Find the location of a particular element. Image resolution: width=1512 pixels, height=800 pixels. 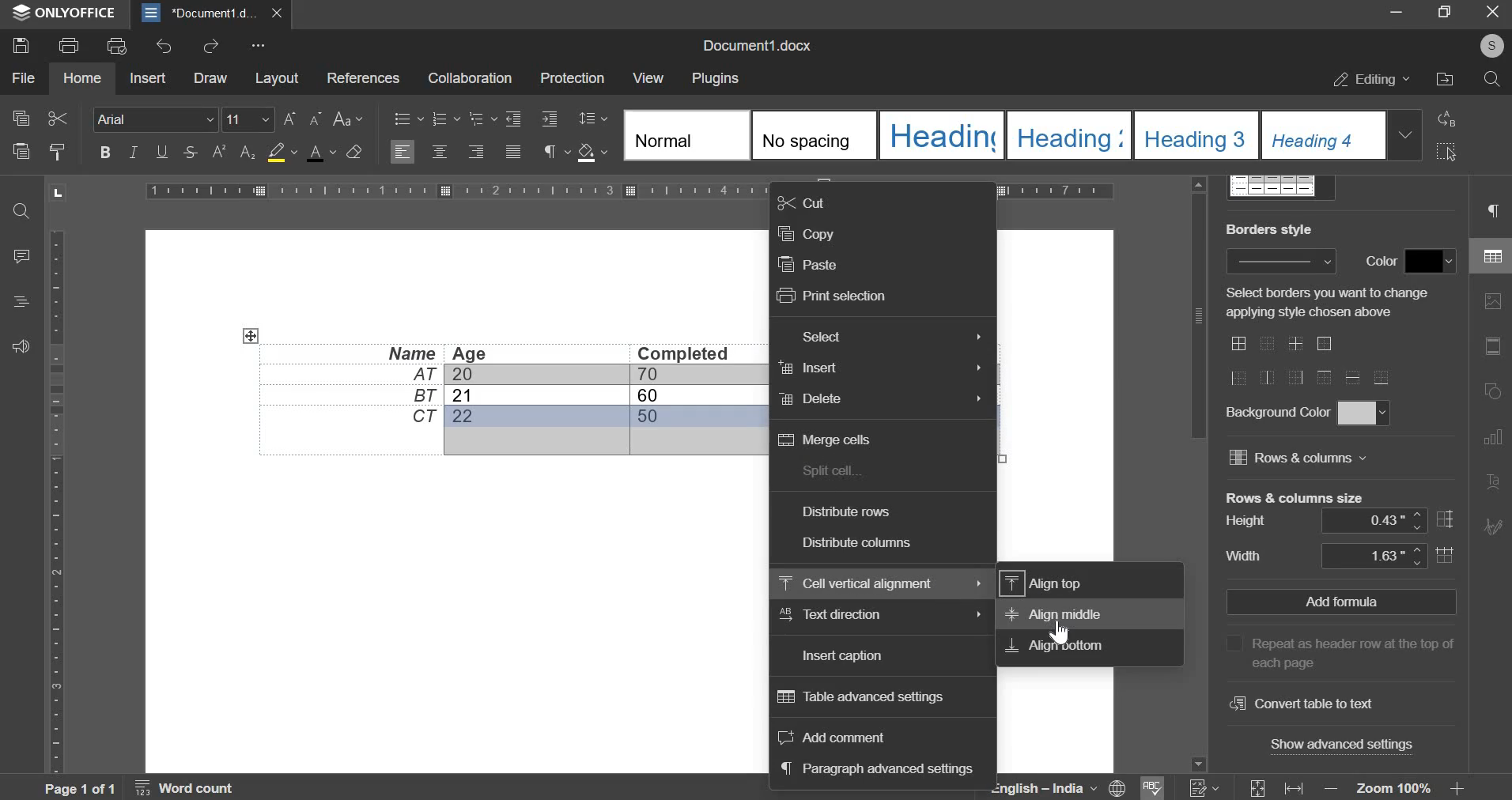

file location is located at coordinates (1444, 79).